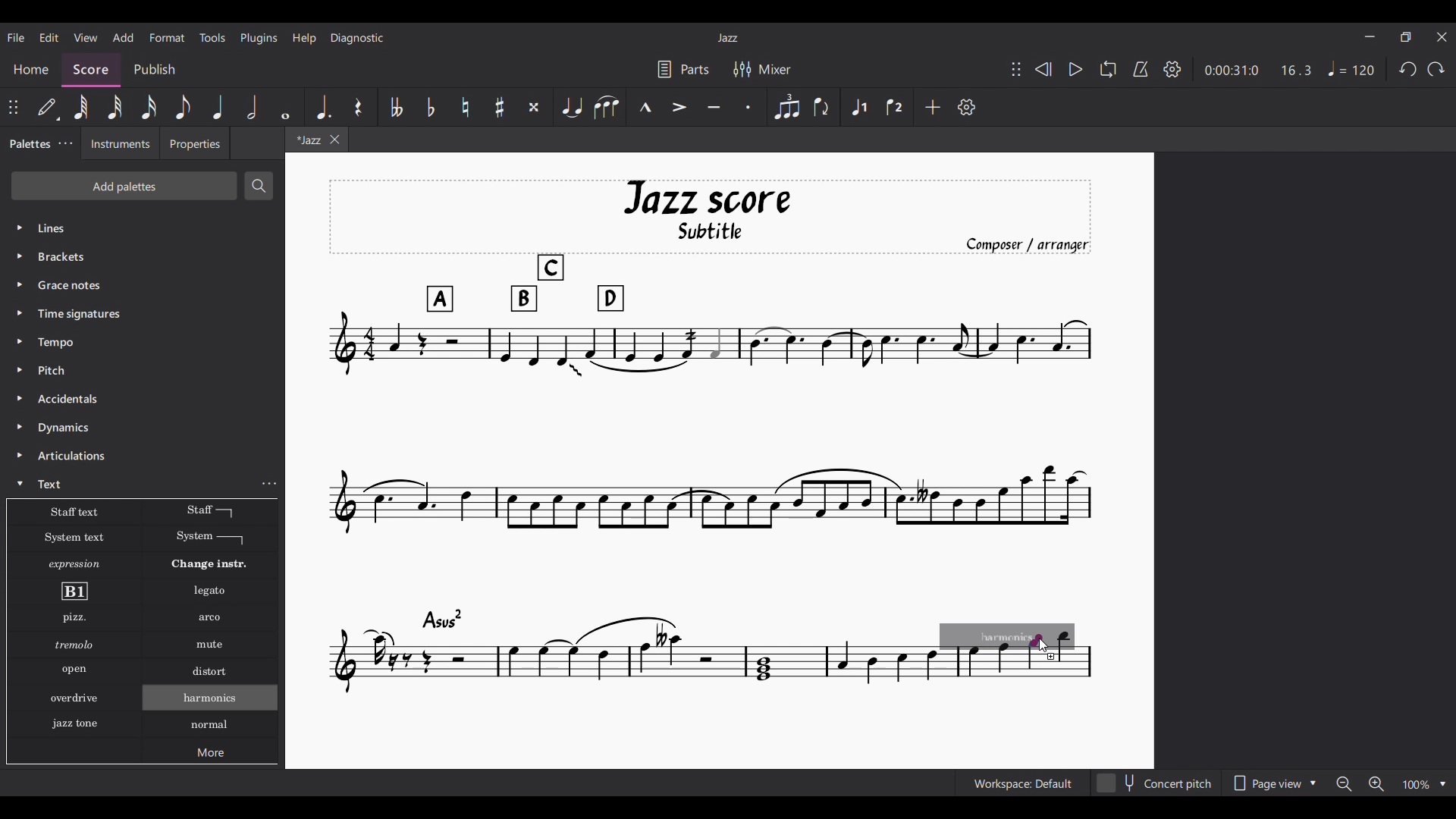 The image size is (1456, 819). I want to click on Slur, so click(607, 107).